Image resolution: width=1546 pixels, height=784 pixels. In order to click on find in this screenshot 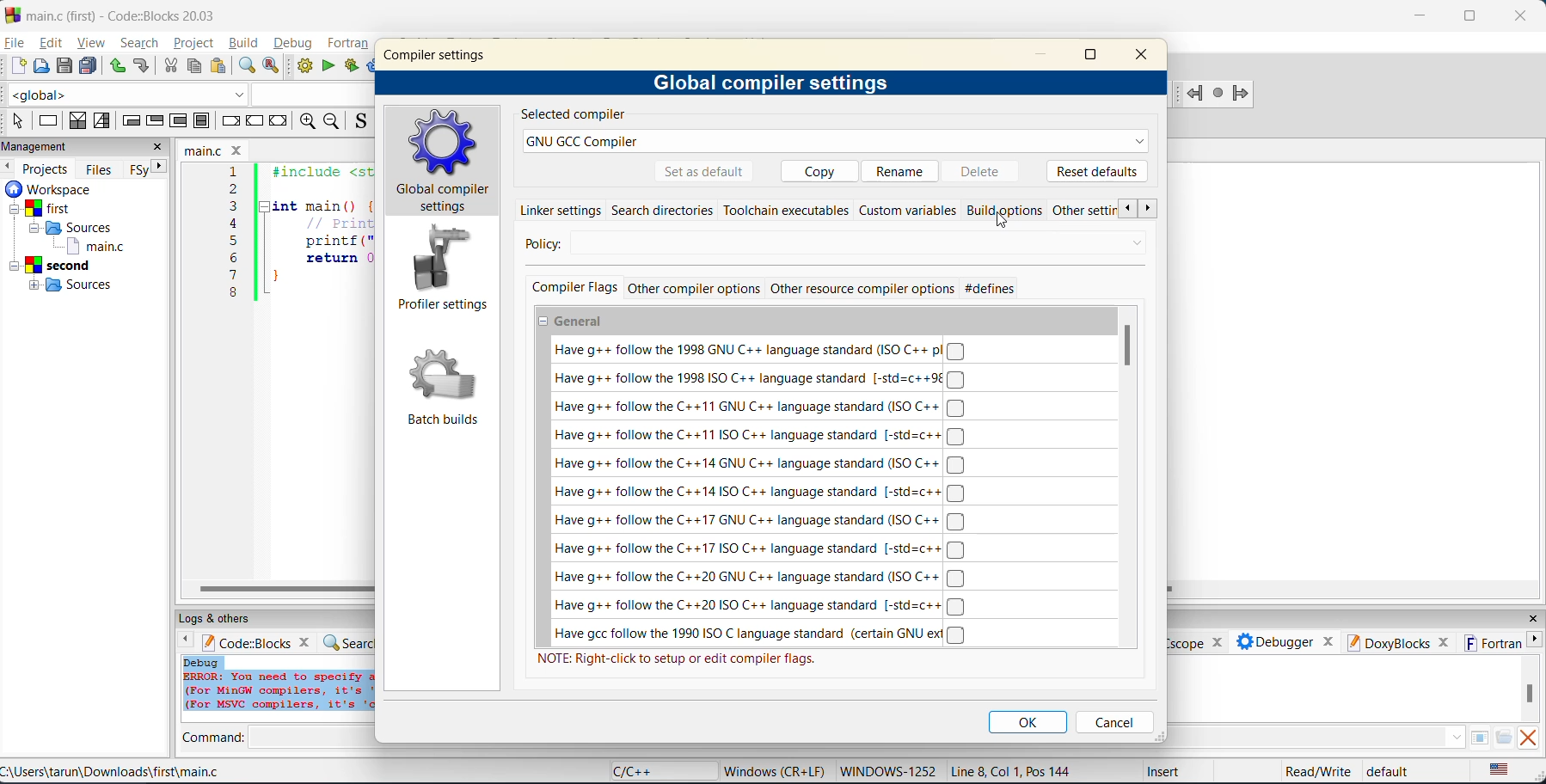, I will do `click(244, 65)`.